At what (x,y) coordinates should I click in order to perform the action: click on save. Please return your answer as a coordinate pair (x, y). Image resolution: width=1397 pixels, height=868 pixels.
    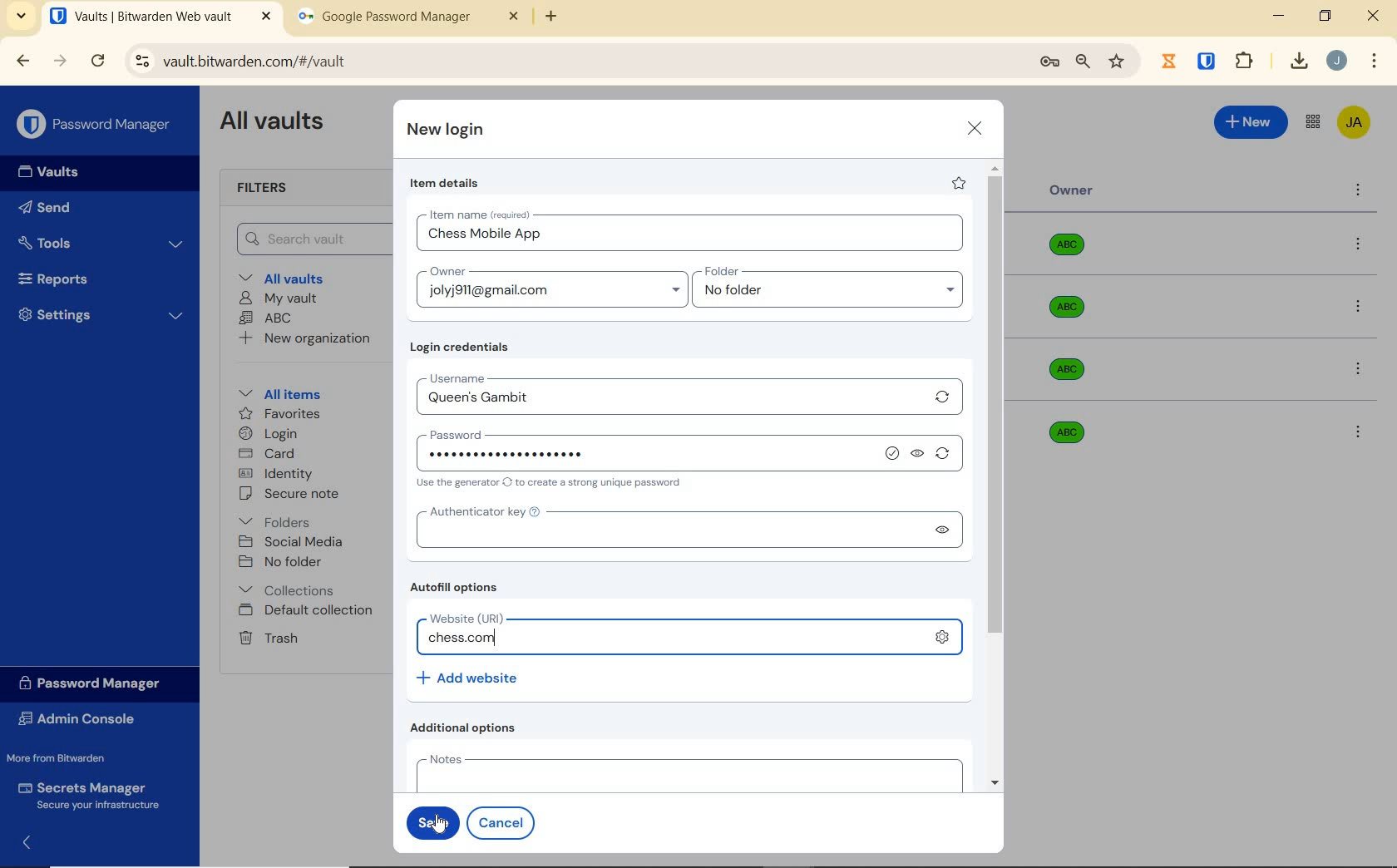
    Looking at the image, I should click on (432, 822).